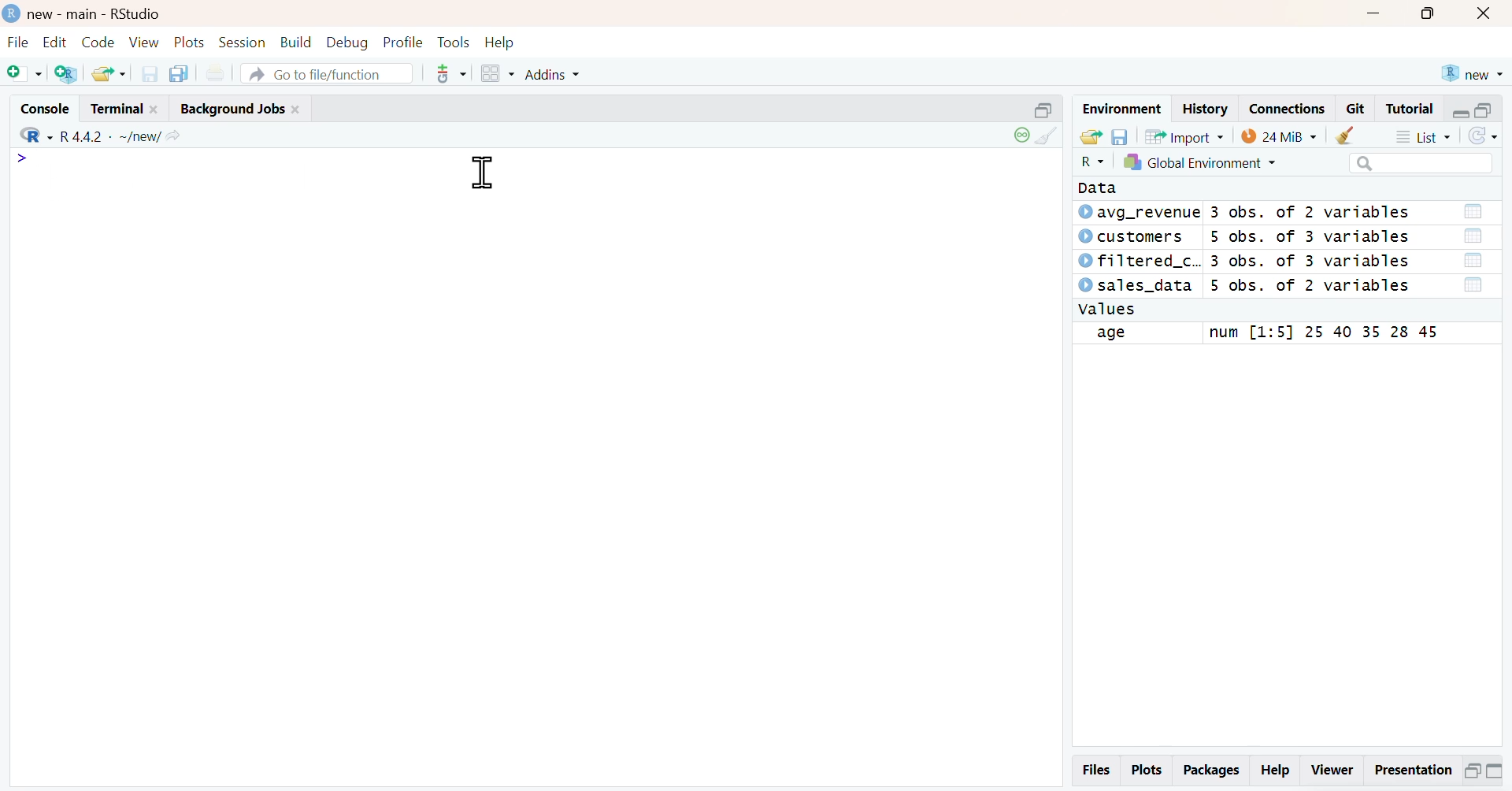  I want to click on Logo, so click(12, 13).